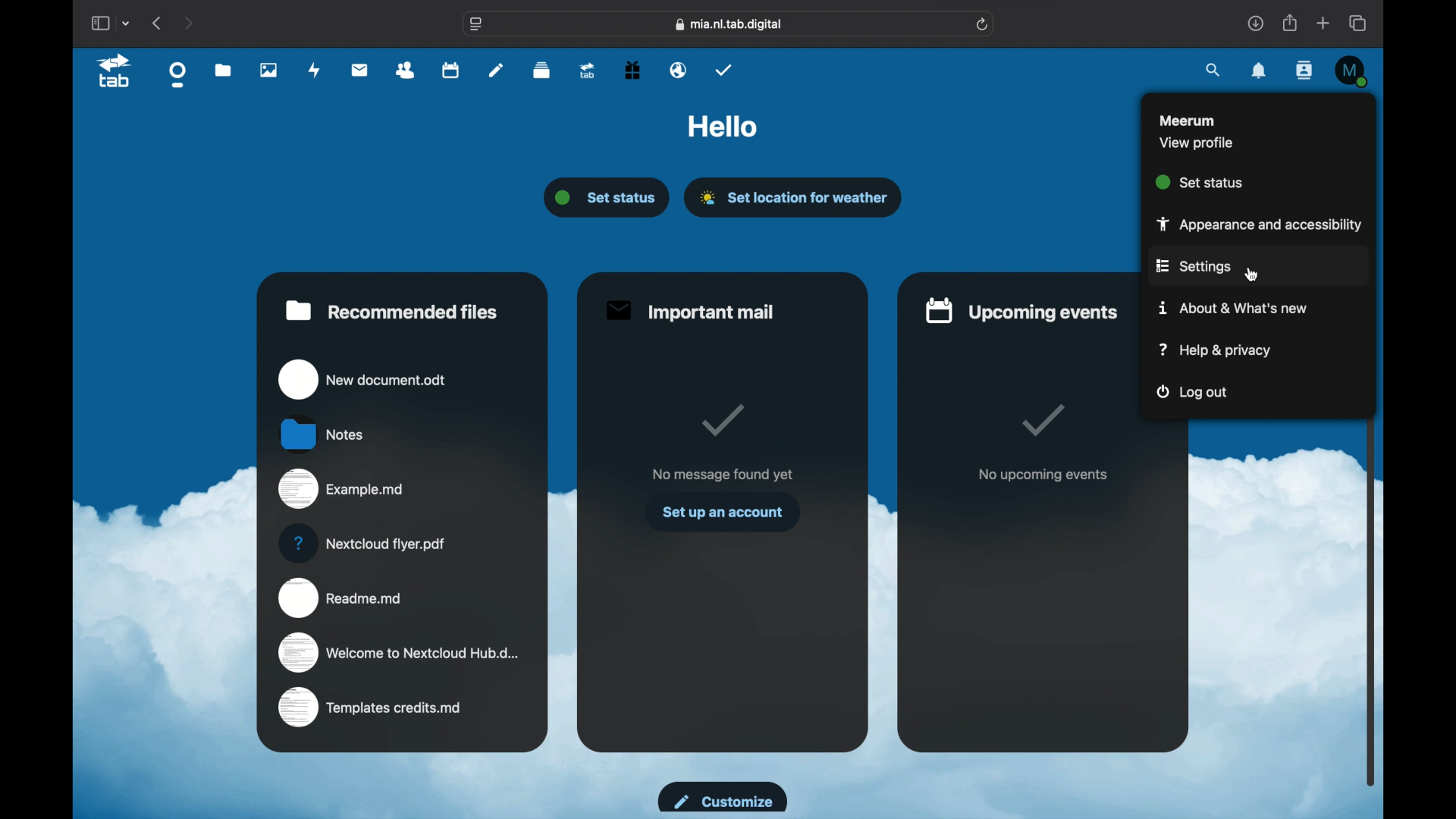  What do you see at coordinates (541, 71) in the screenshot?
I see `deck` at bounding box center [541, 71].